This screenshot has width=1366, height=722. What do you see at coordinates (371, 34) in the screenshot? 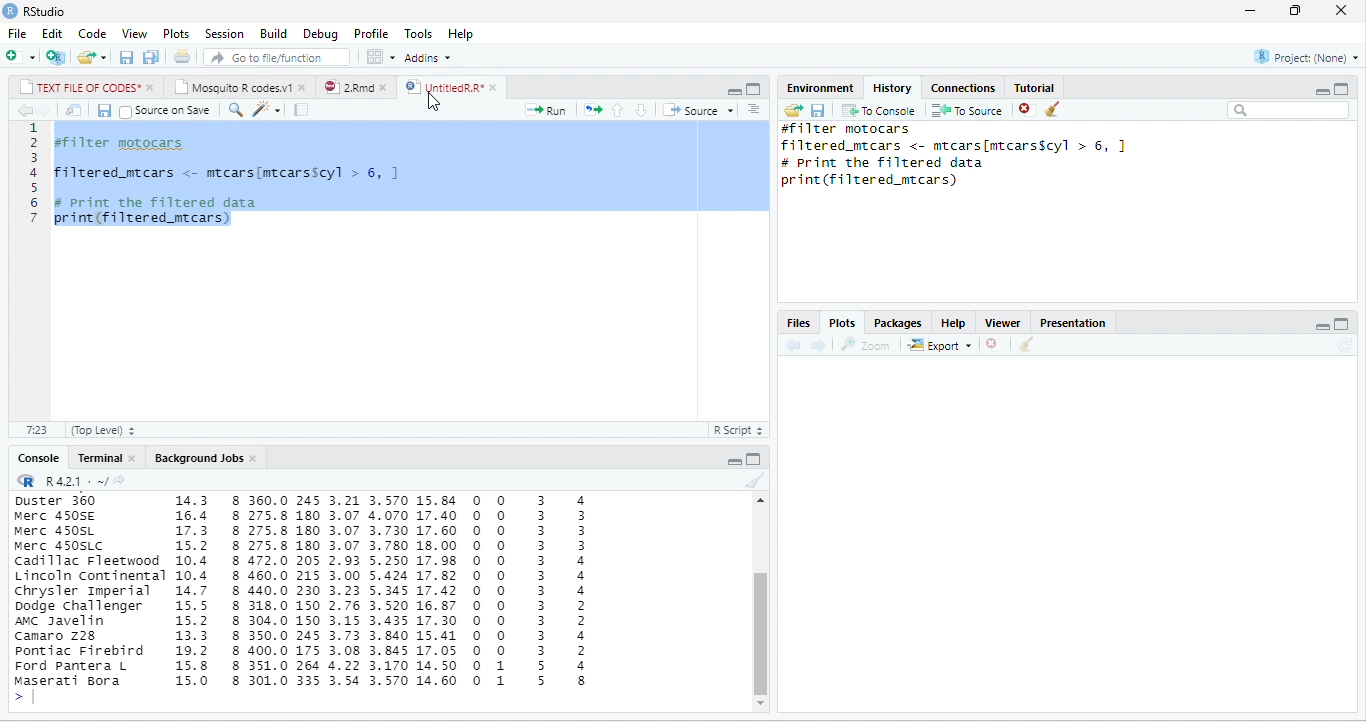
I see `Profile` at bounding box center [371, 34].